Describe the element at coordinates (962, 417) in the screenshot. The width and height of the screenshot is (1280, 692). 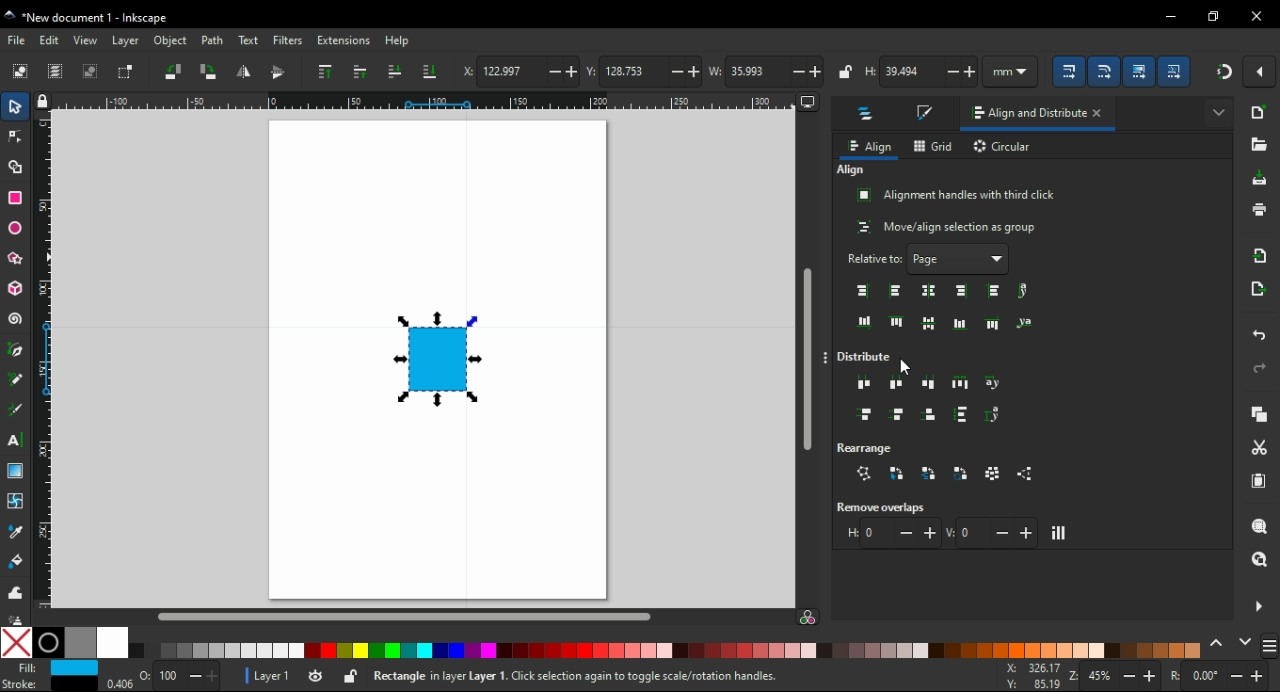
I see `distribute vertically with even vertical gaps` at that location.